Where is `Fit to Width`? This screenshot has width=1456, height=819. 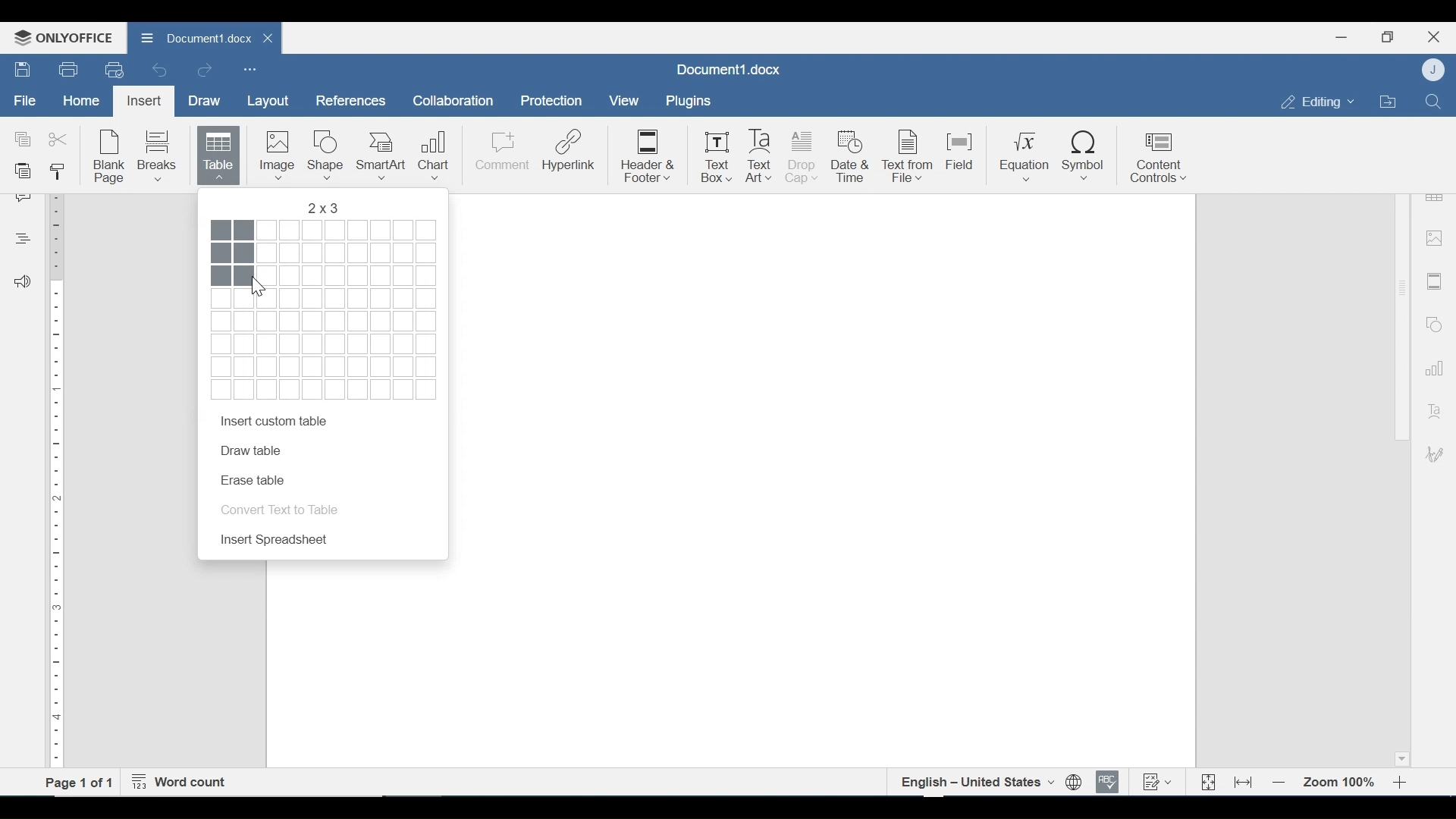 Fit to Width is located at coordinates (1244, 781).